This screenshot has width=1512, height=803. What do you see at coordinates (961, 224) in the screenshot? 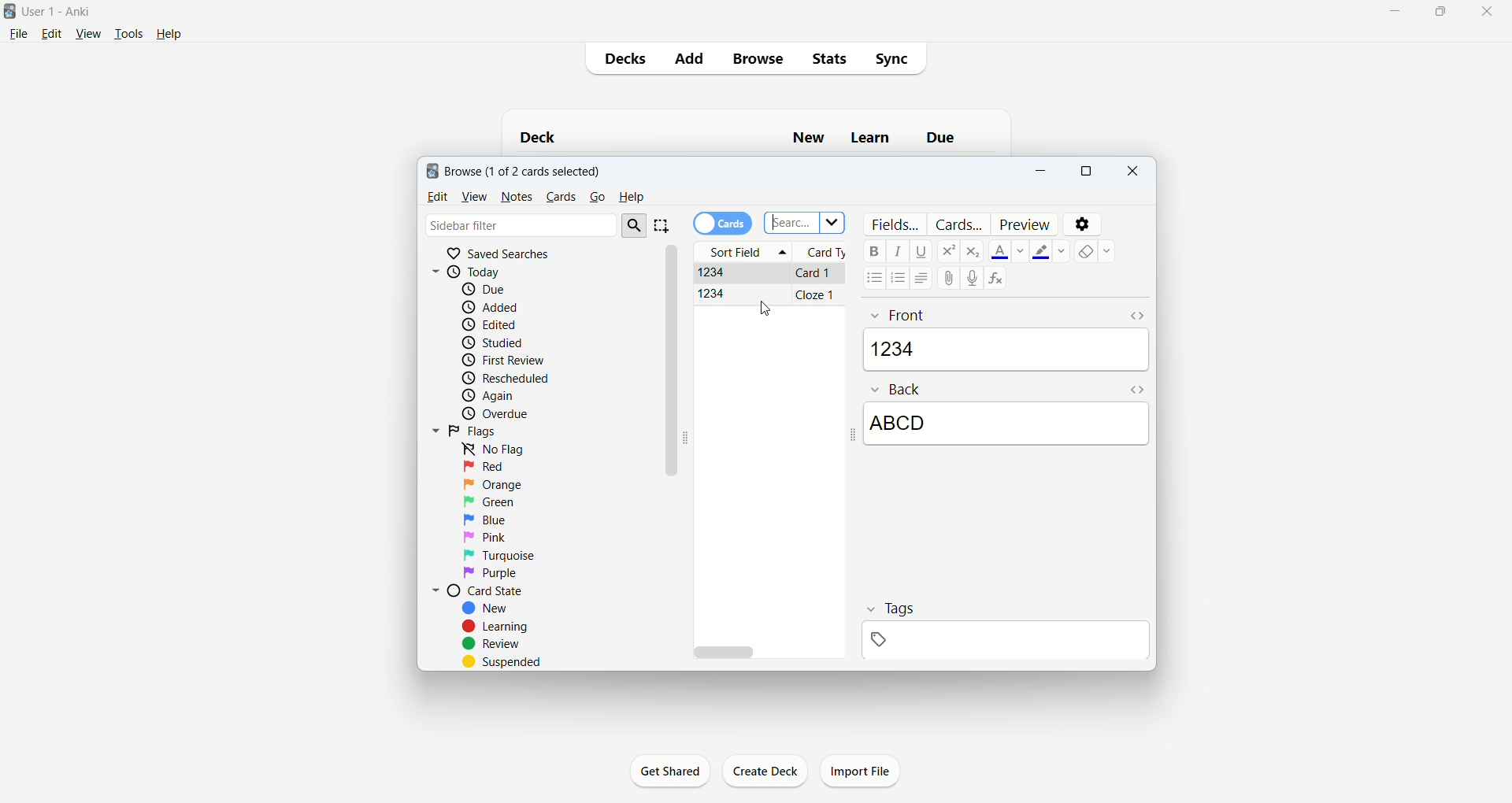
I see `card` at bounding box center [961, 224].